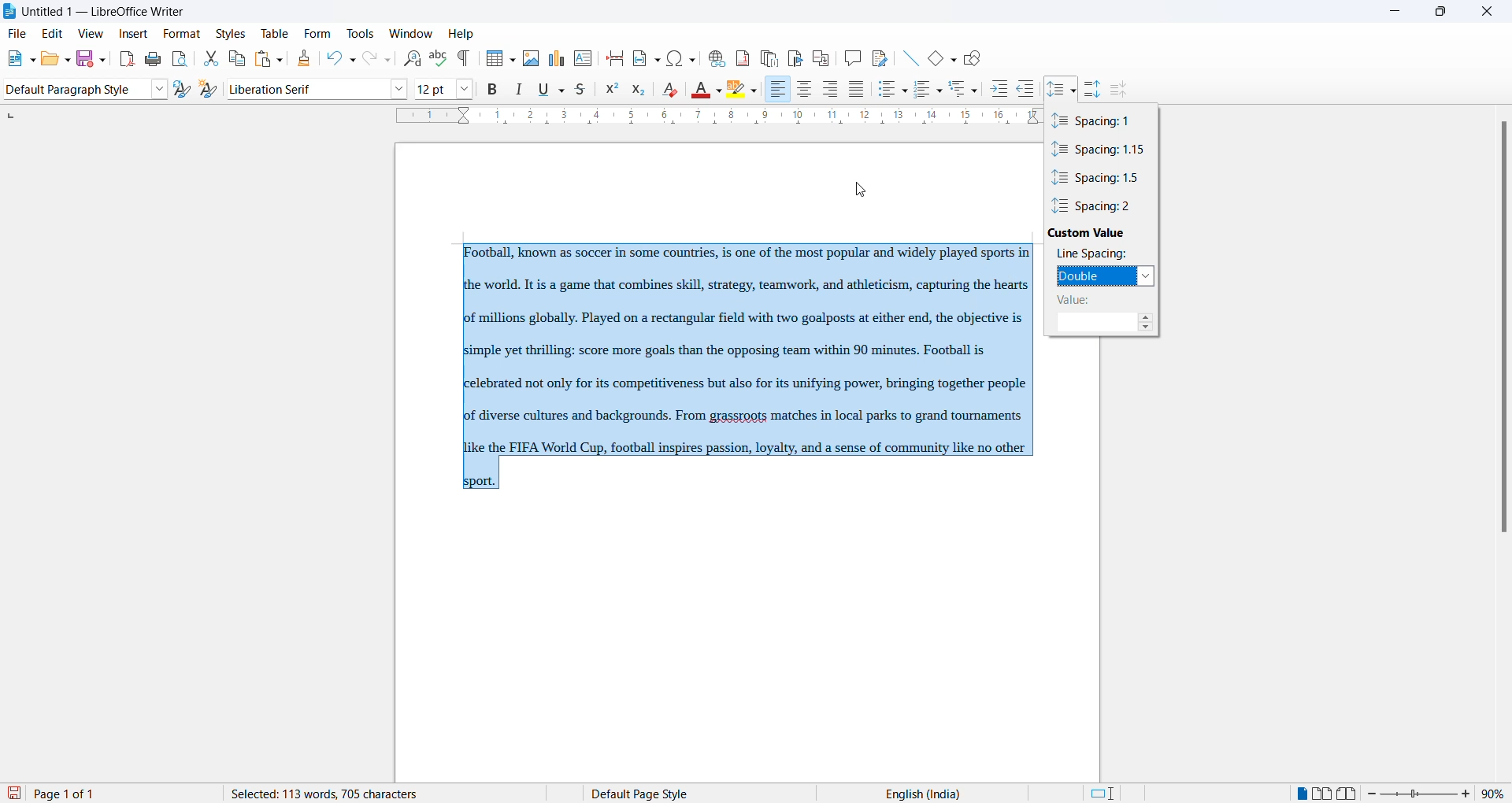 Image resolution: width=1512 pixels, height=803 pixels. Describe the element at coordinates (824, 58) in the screenshot. I see `insert cross-reference` at that location.